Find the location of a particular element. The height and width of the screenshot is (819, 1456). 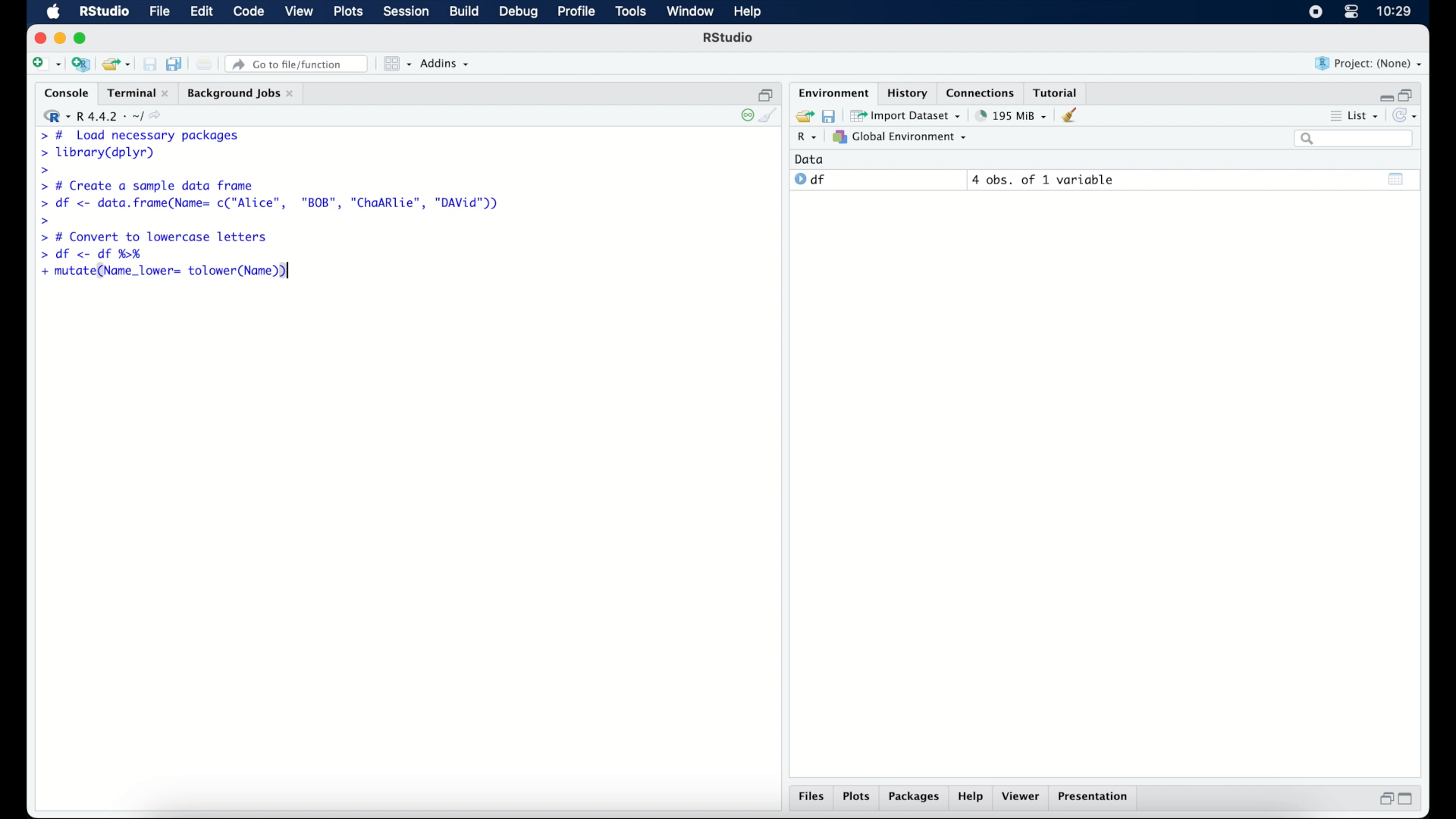

10.27 is located at coordinates (1394, 11).